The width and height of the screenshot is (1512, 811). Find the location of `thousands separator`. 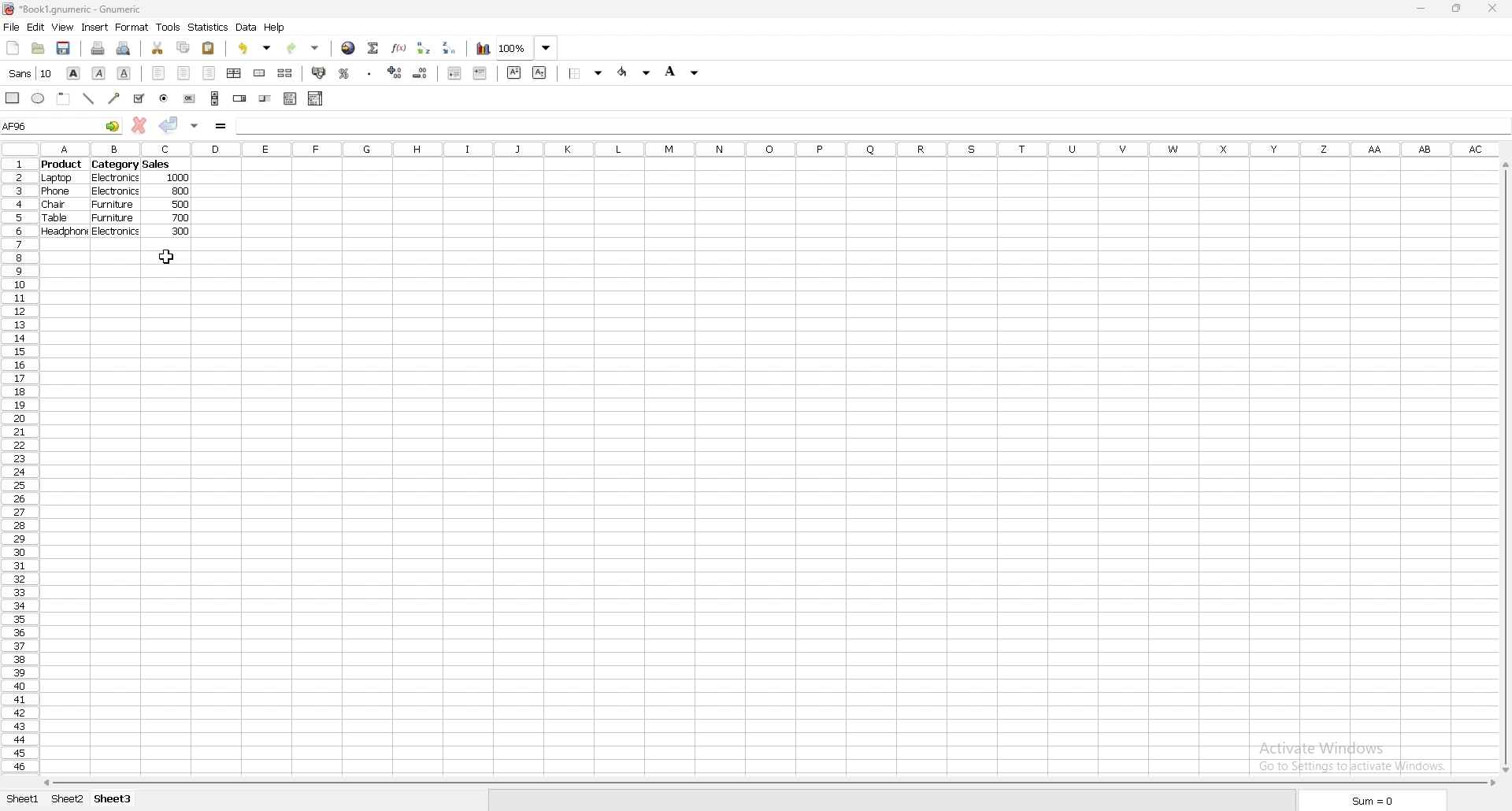

thousands separator is located at coordinates (368, 73).